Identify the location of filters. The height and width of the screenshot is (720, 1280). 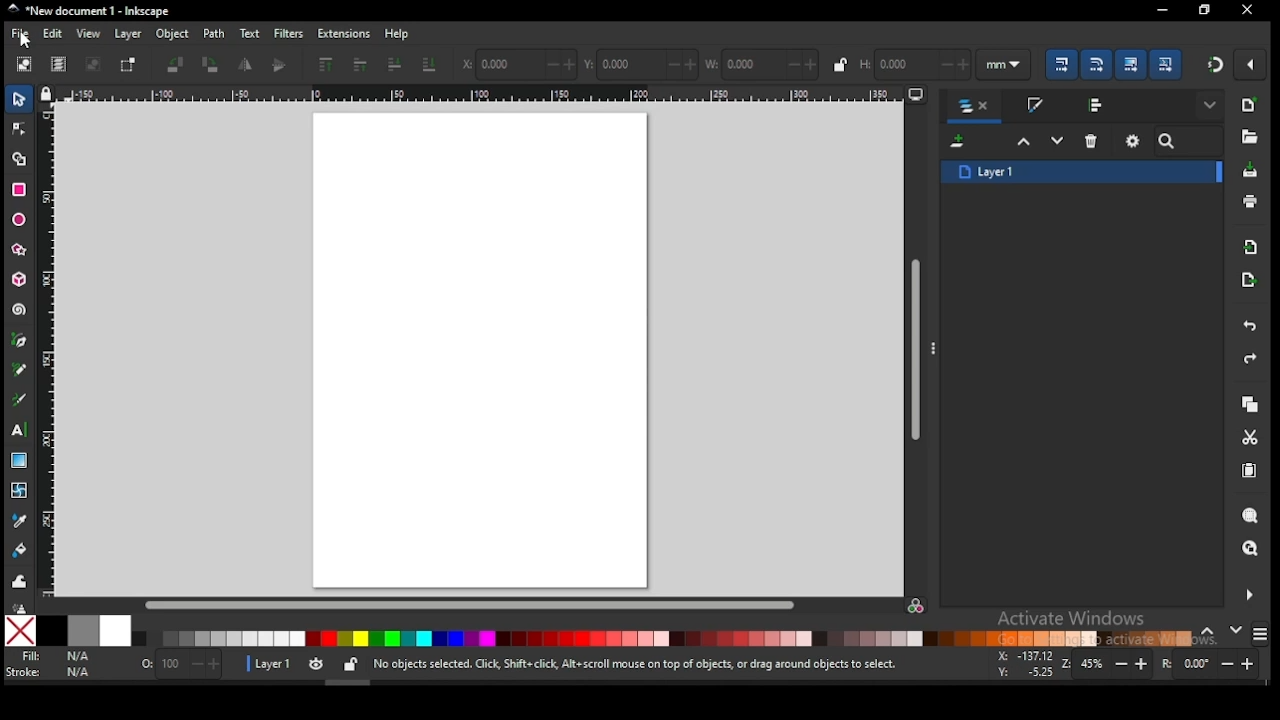
(287, 32).